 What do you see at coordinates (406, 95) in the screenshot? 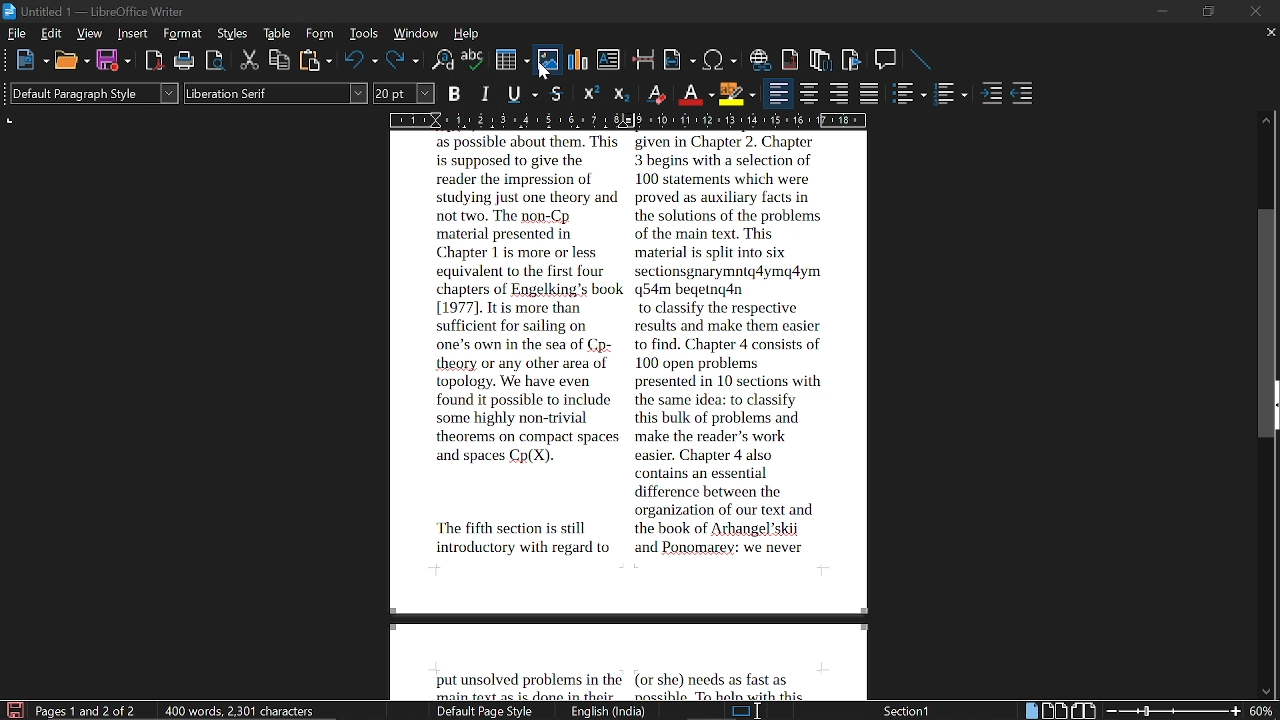
I see `text size` at bounding box center [406, 95].